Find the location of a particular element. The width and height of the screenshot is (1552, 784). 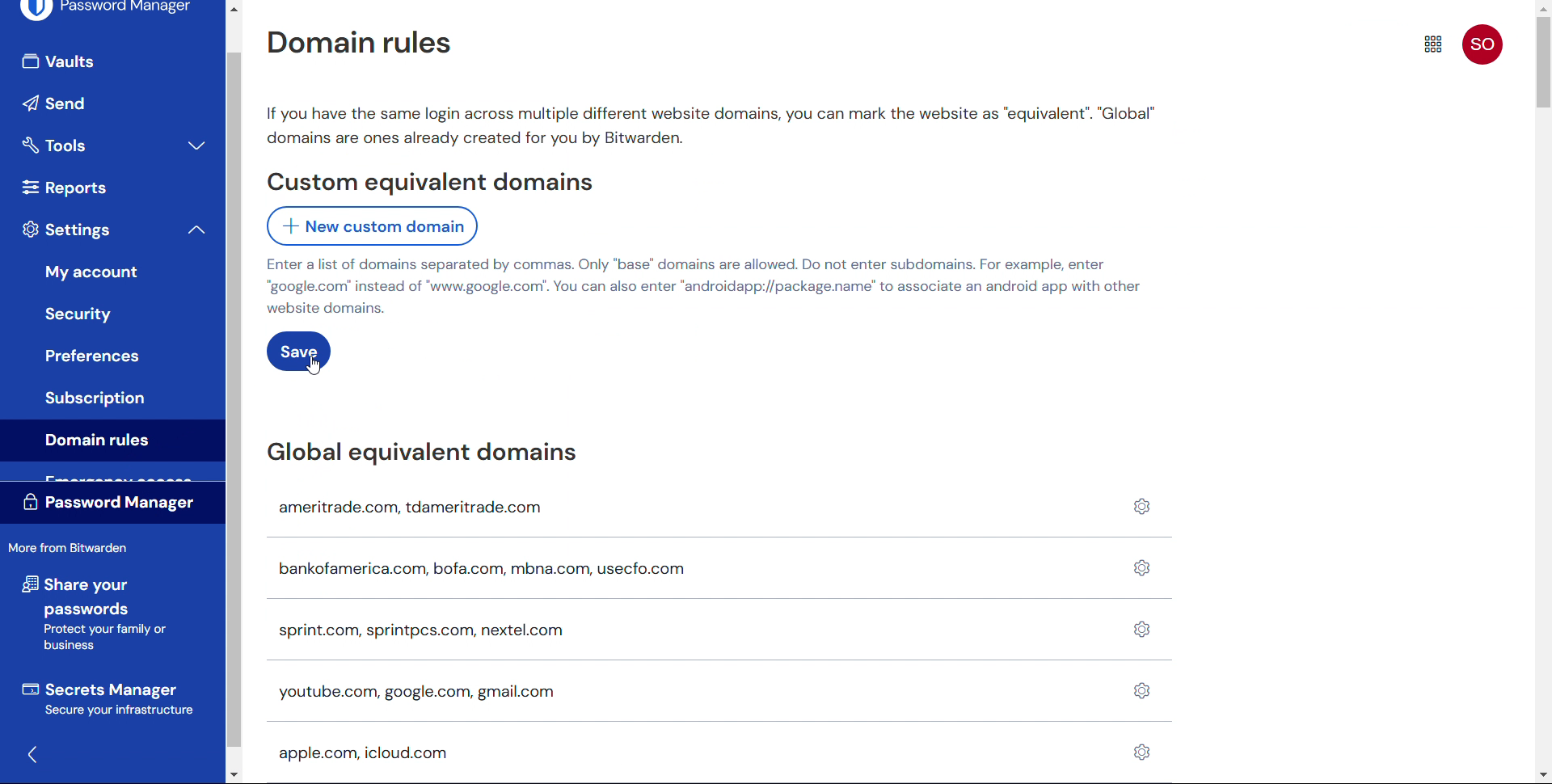

More from Bit Warden is located at coordinates (71, 549).